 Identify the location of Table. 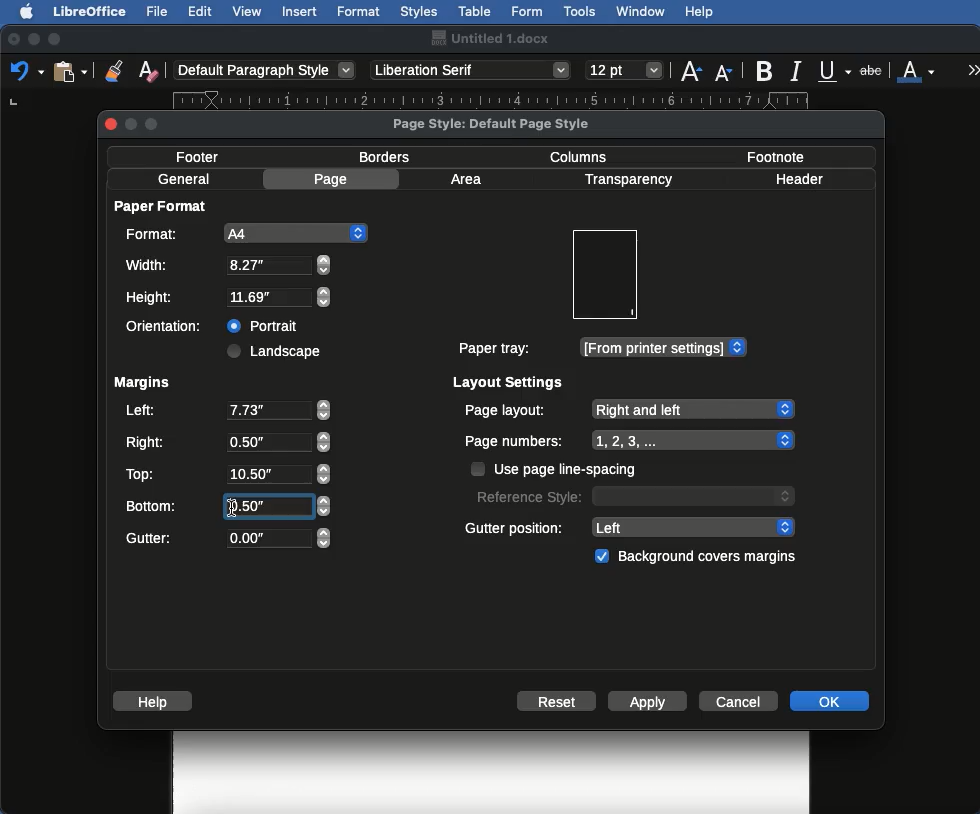
(475, 9).